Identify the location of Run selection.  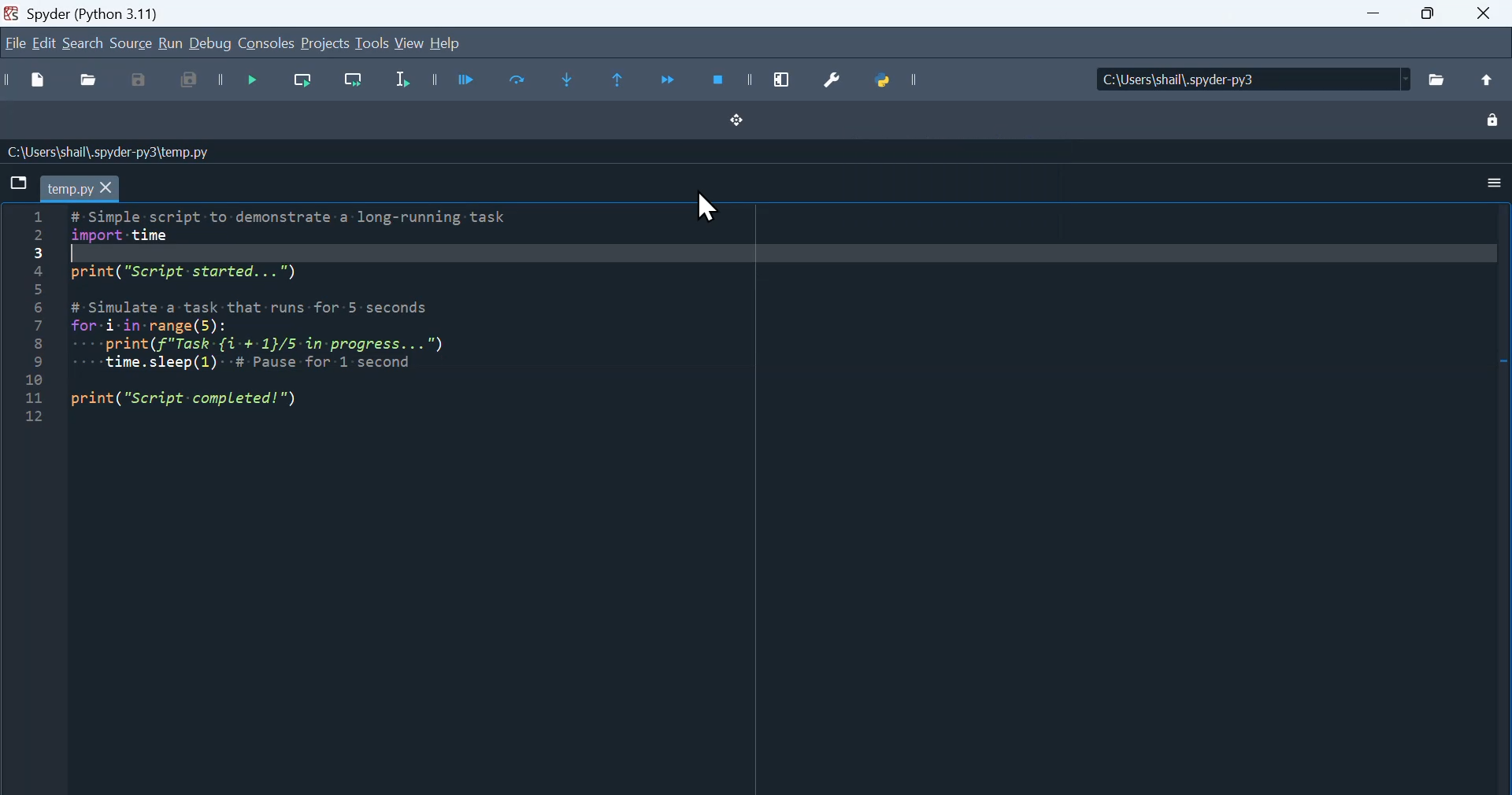
(406, 81).